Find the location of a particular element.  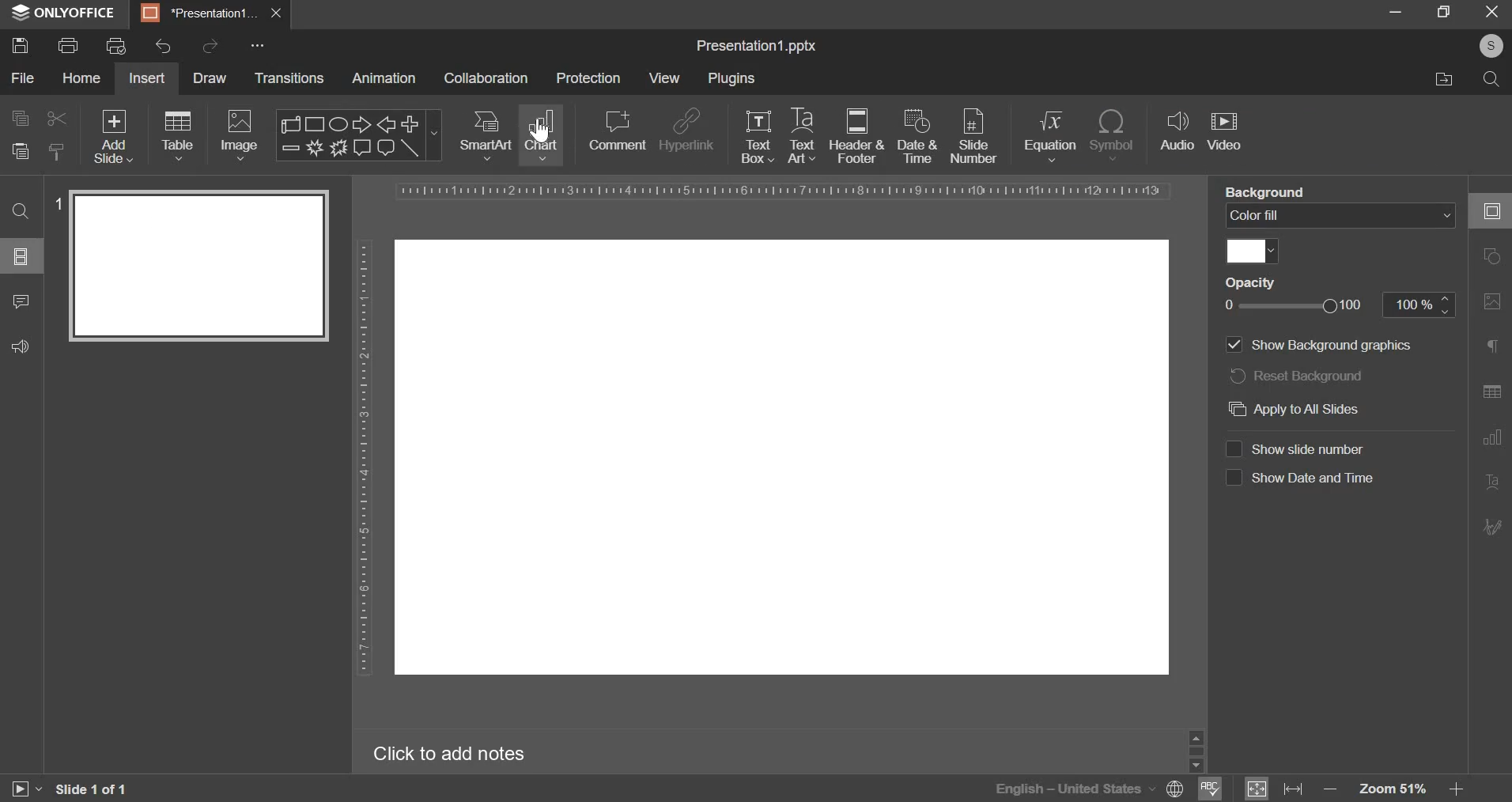

smartart is located at coordinates (486, 134).